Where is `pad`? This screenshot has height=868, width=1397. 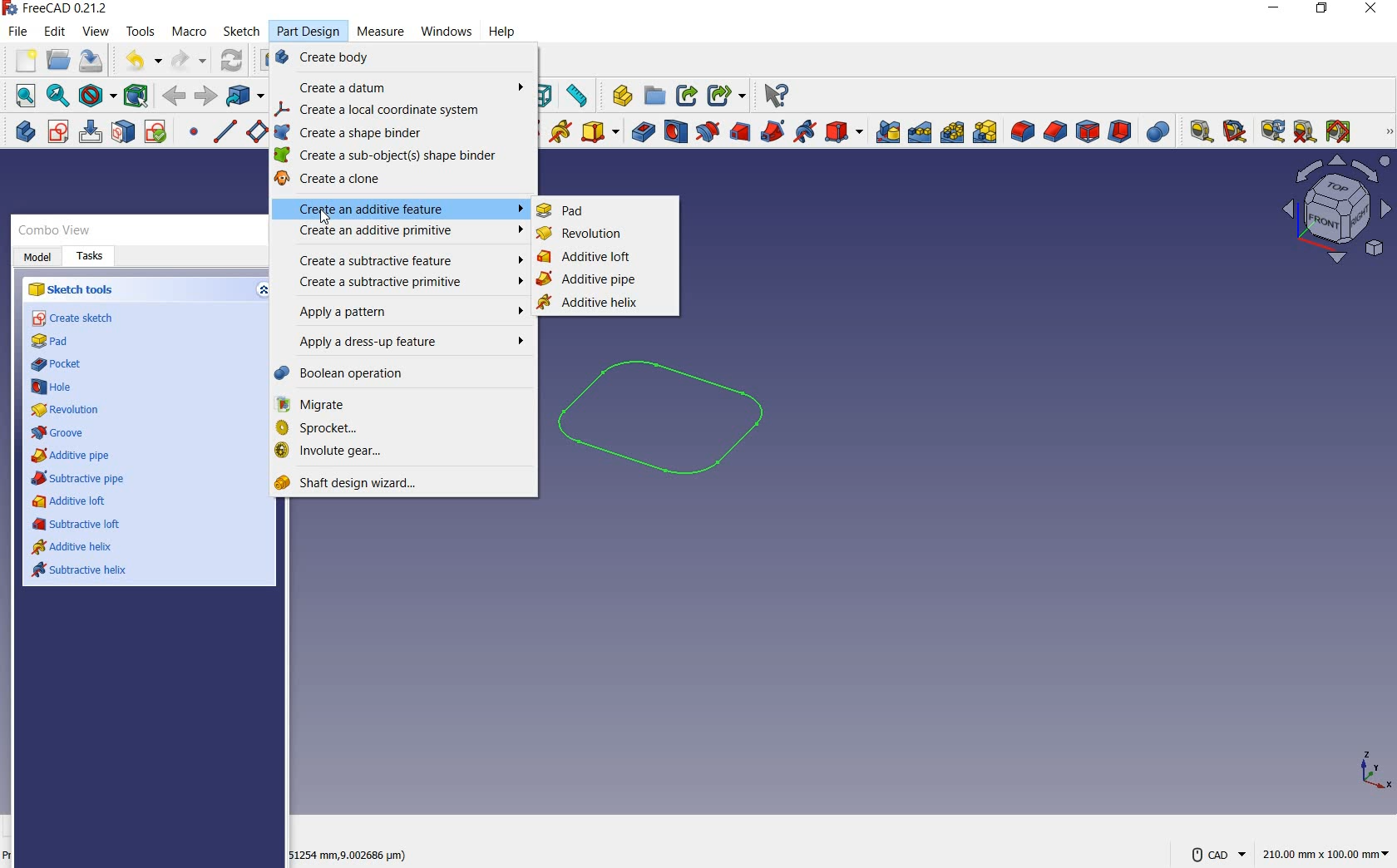 pad is located at coordinates (564, 211).